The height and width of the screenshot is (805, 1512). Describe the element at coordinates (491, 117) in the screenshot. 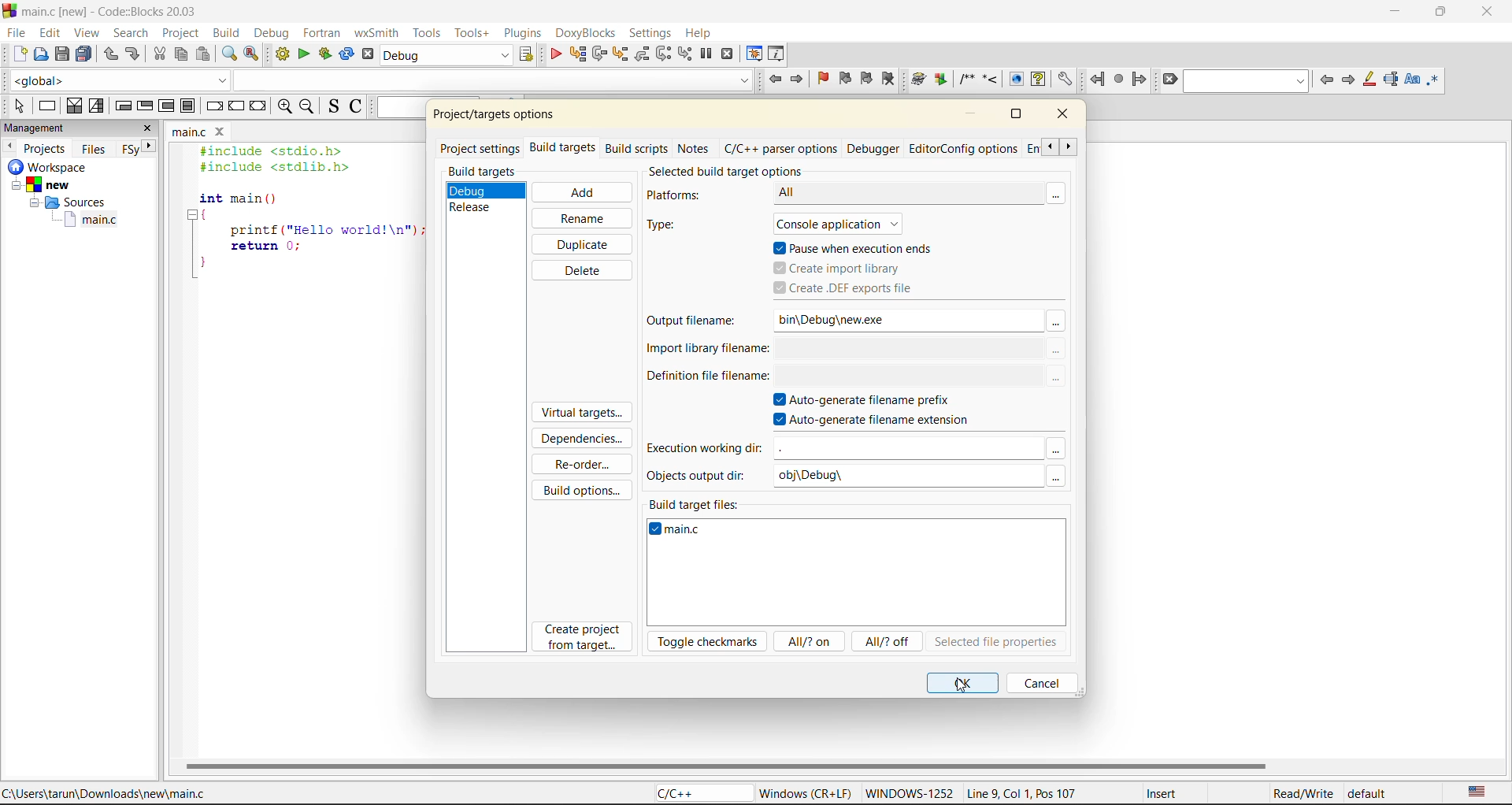

I see `project properties/options` at that location.